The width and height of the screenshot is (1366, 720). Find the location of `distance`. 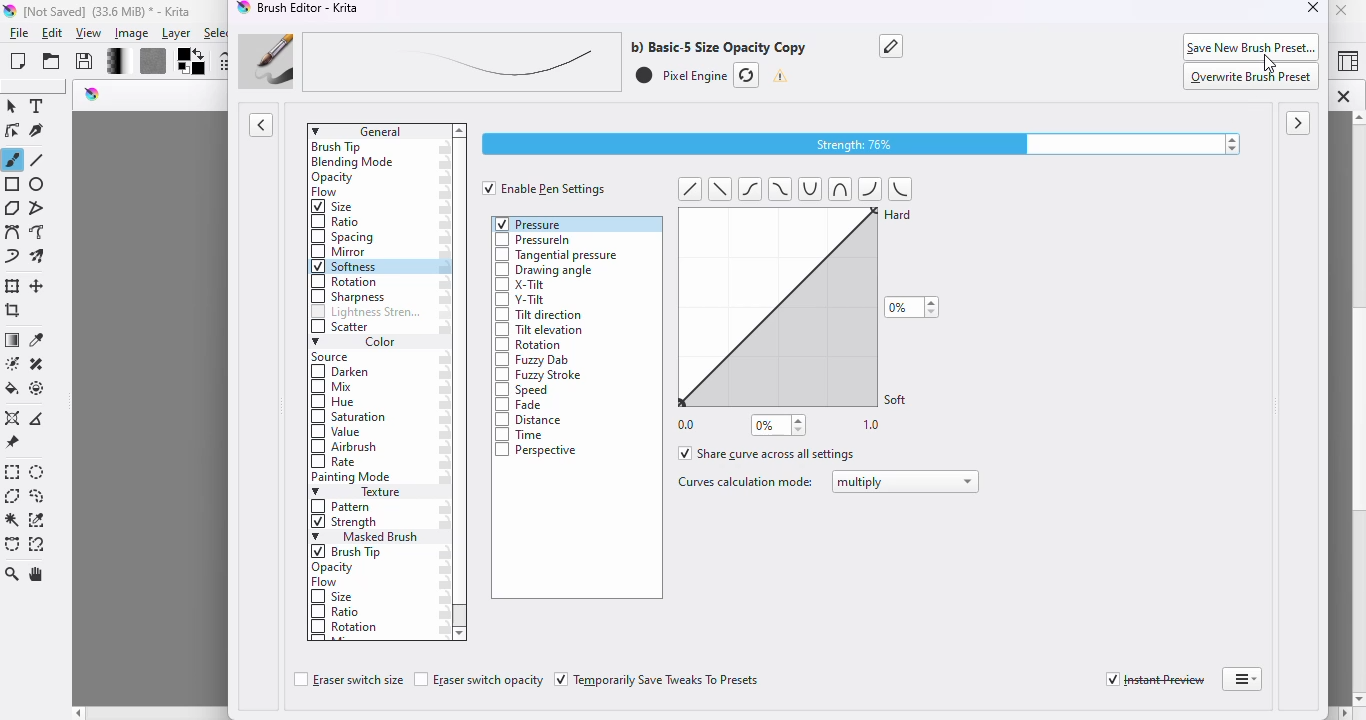

distance is located at coordinates (532, 421).